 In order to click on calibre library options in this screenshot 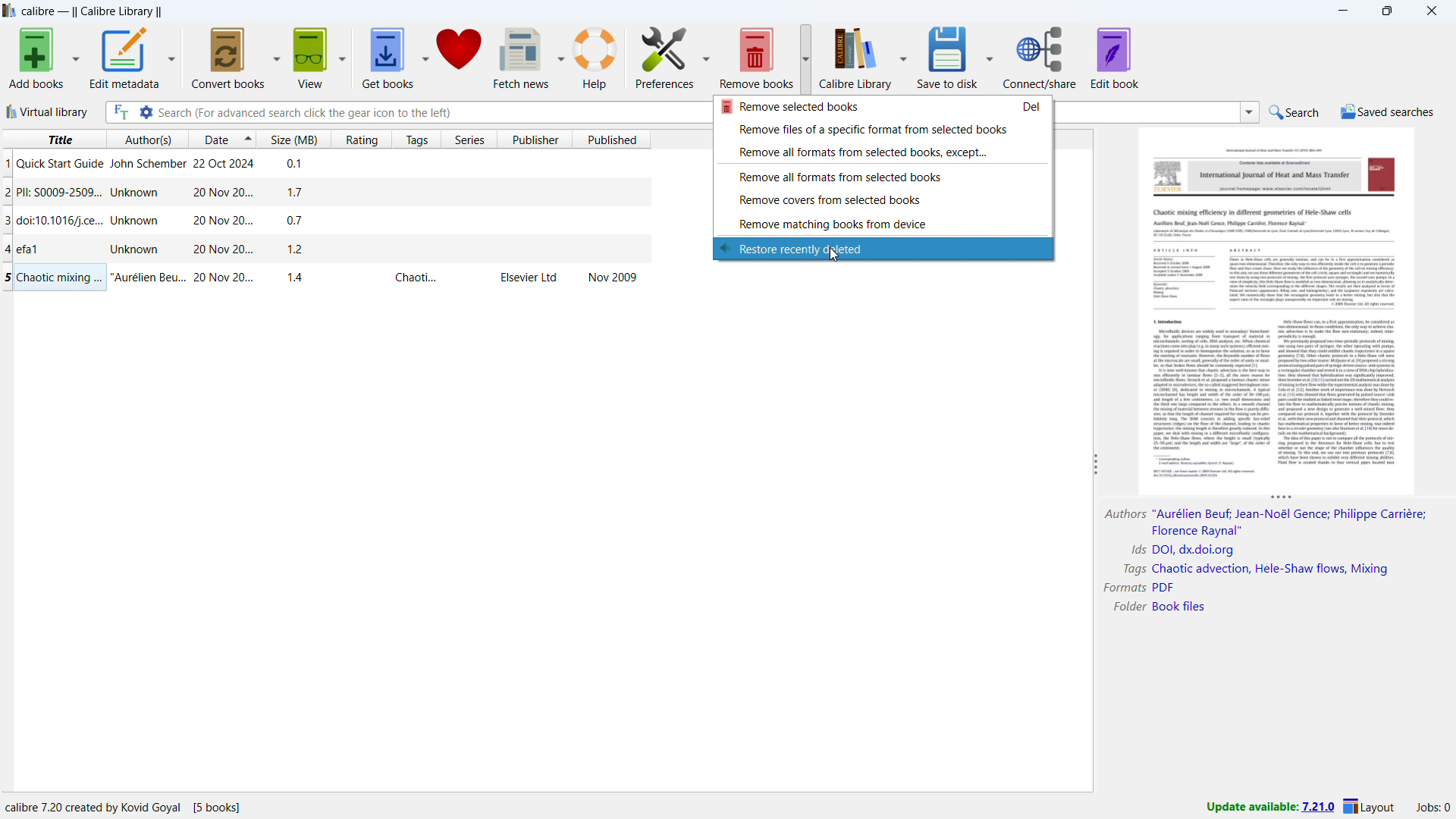, I will do `click(904, 55)`.